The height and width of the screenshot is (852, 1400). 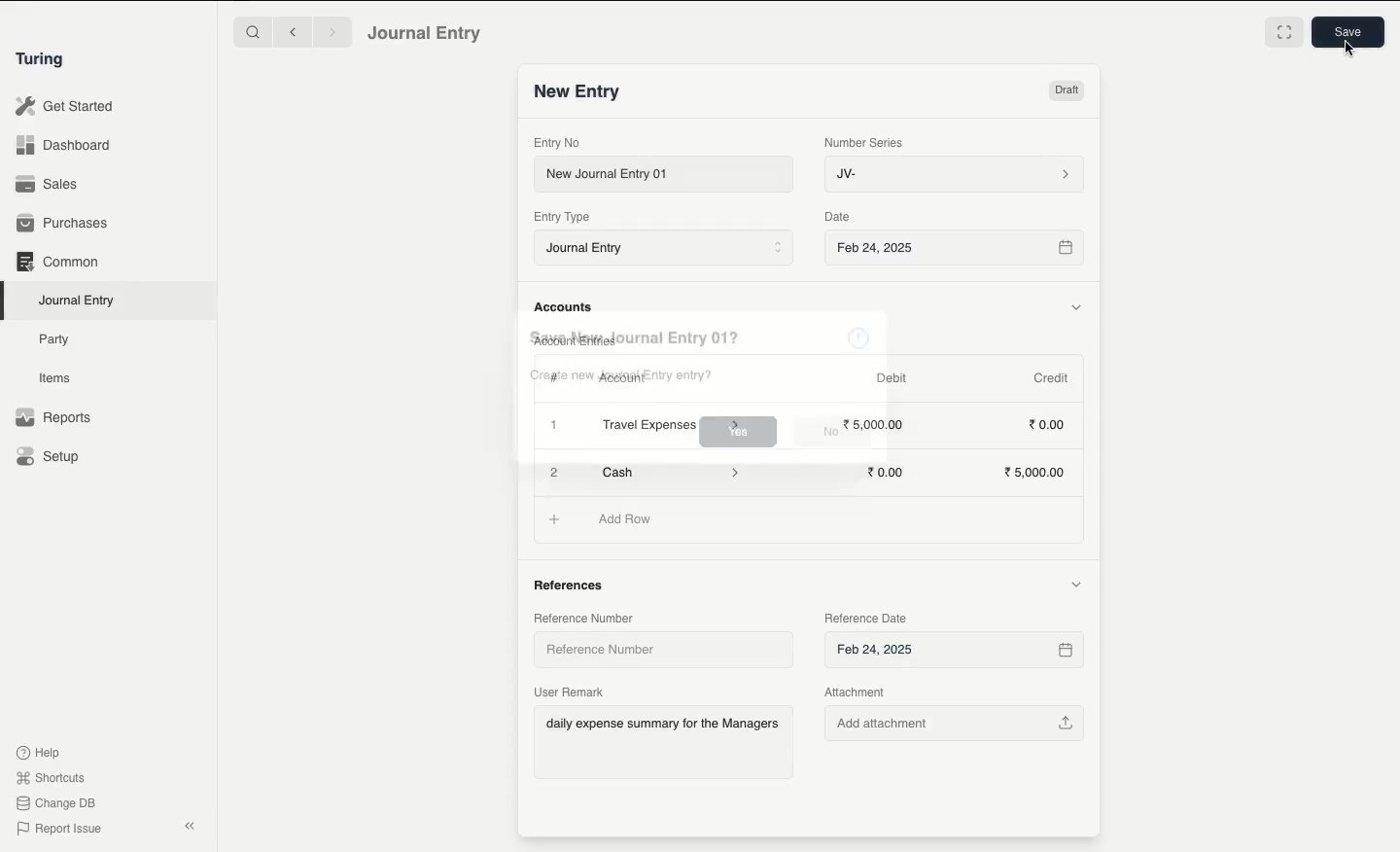 What do you see at coordinates (887, 473) in the screenshot?
I see `0.00` at bounding box center [887, 473].